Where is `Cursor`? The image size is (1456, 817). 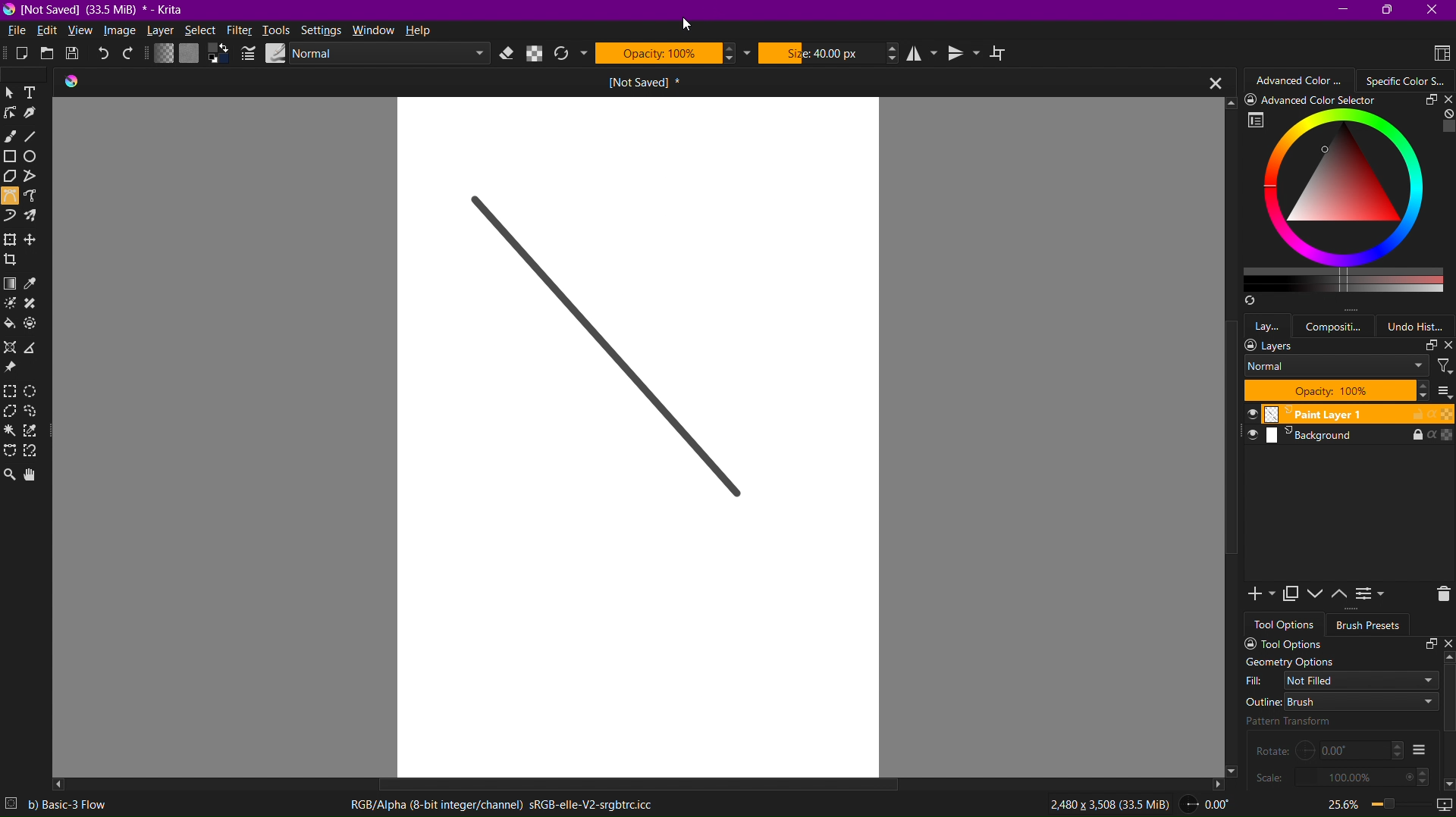
Cursor is located at coordinates (688, 26).